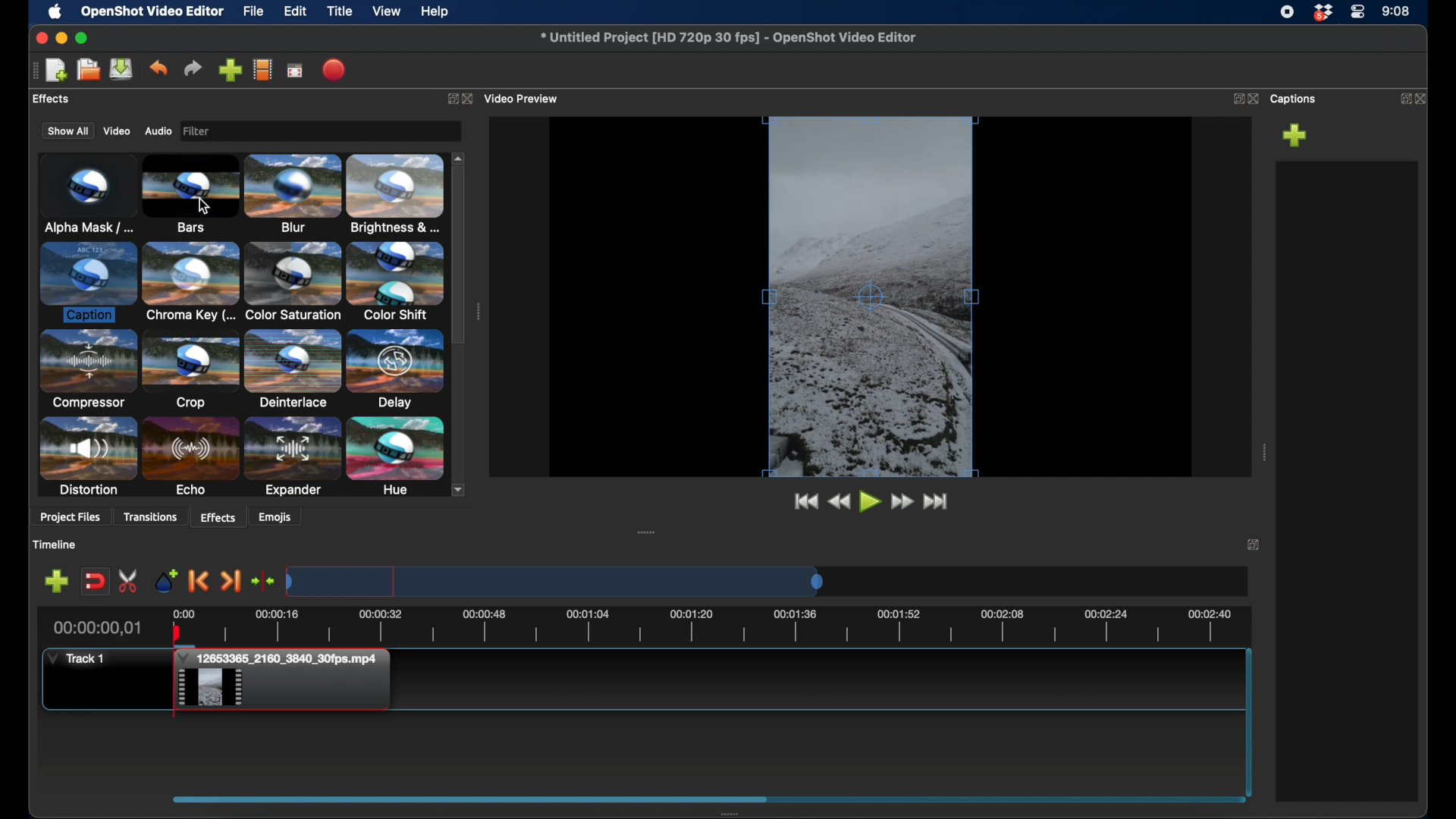  I want to click on minimize, so click(63, 38).